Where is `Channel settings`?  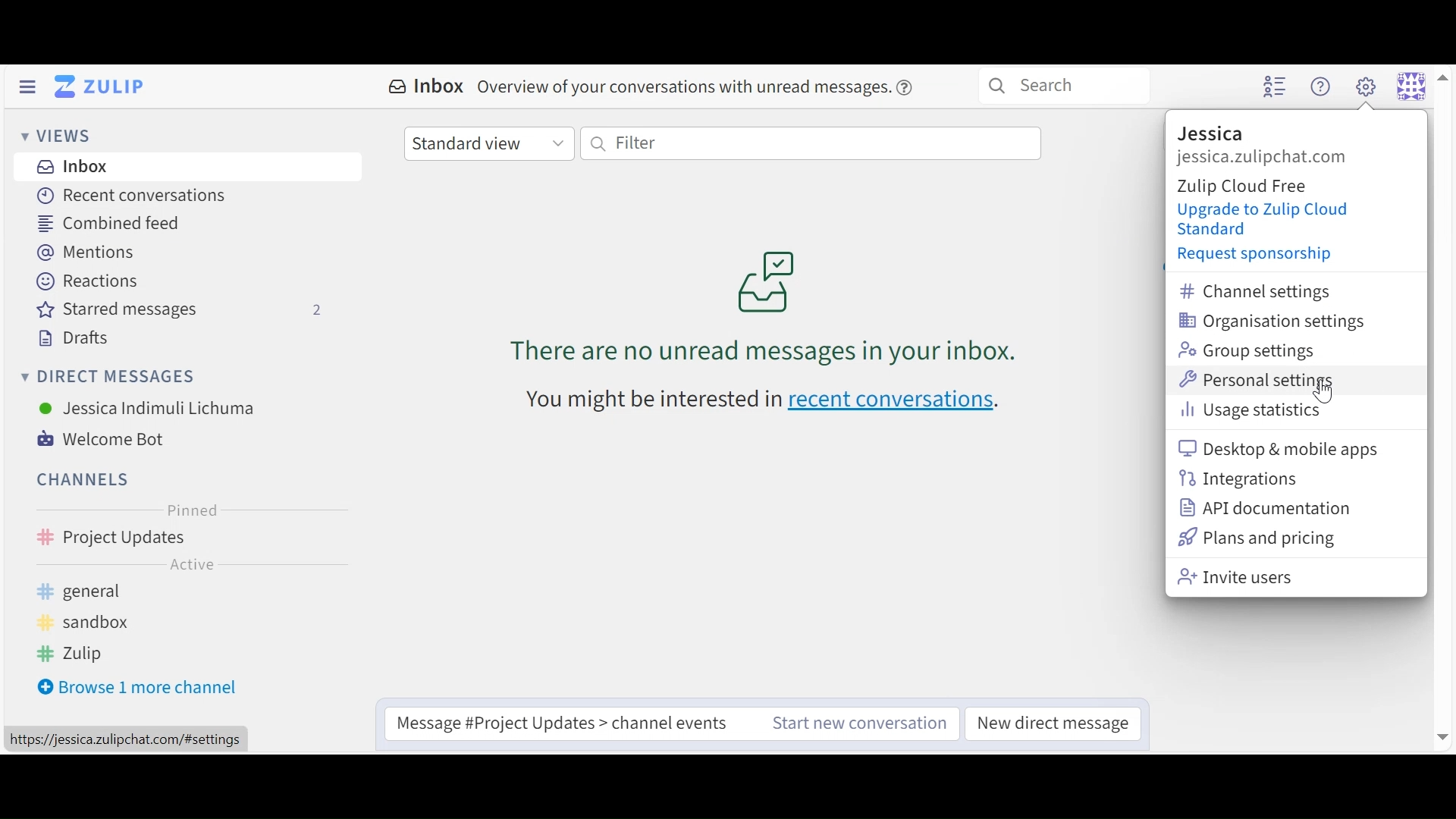
Channel settings is located at coordinates (1255, 291).